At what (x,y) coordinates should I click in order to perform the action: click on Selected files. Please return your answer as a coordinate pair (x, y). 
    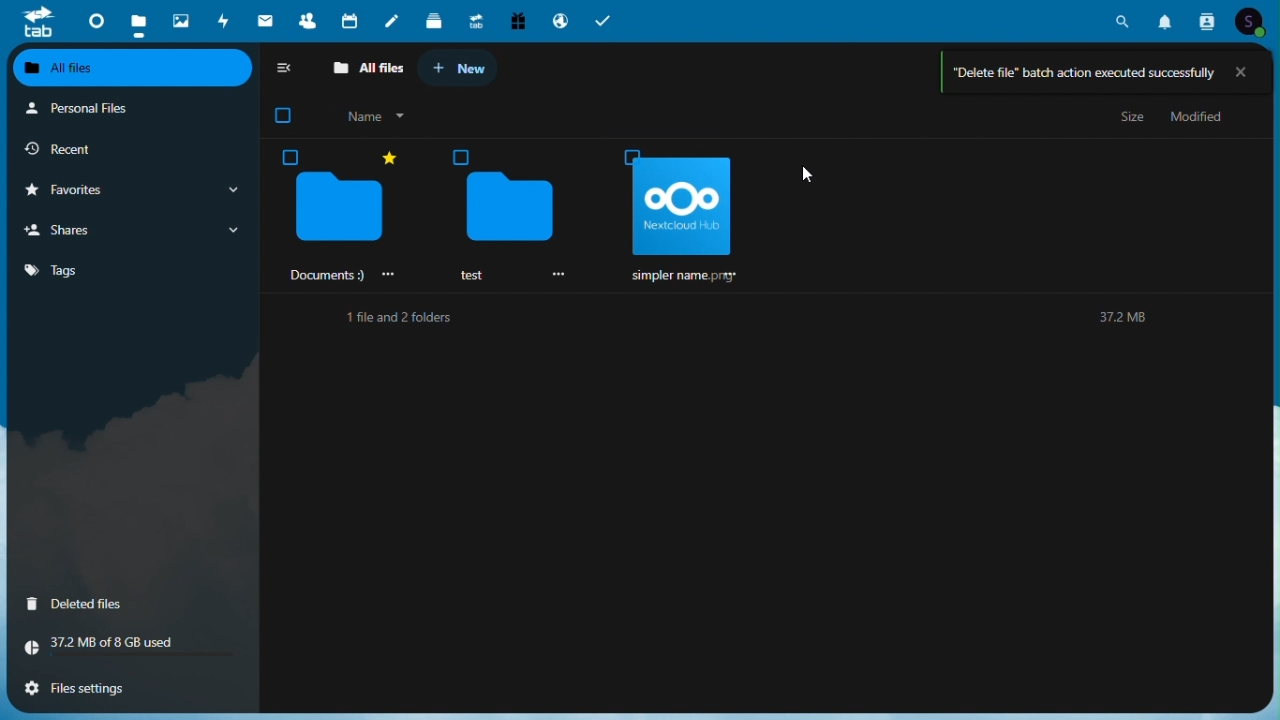
    Looking at the image, I should click on (679, 214).